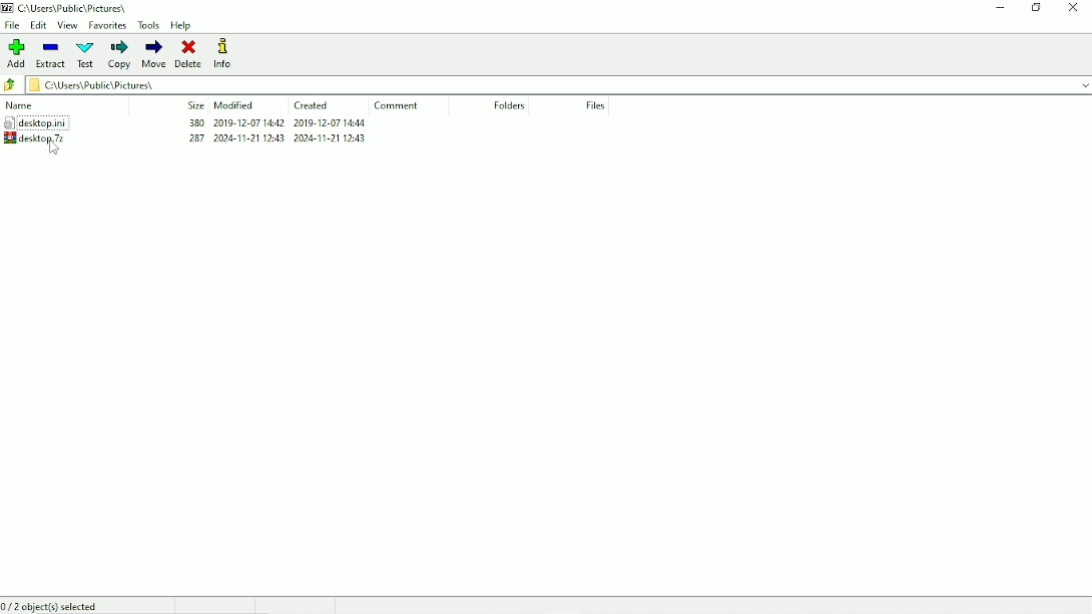  What do you see at coordinates (109, 26) in the screenshot?
I see `Favorites` at bounding box center [109, 26].